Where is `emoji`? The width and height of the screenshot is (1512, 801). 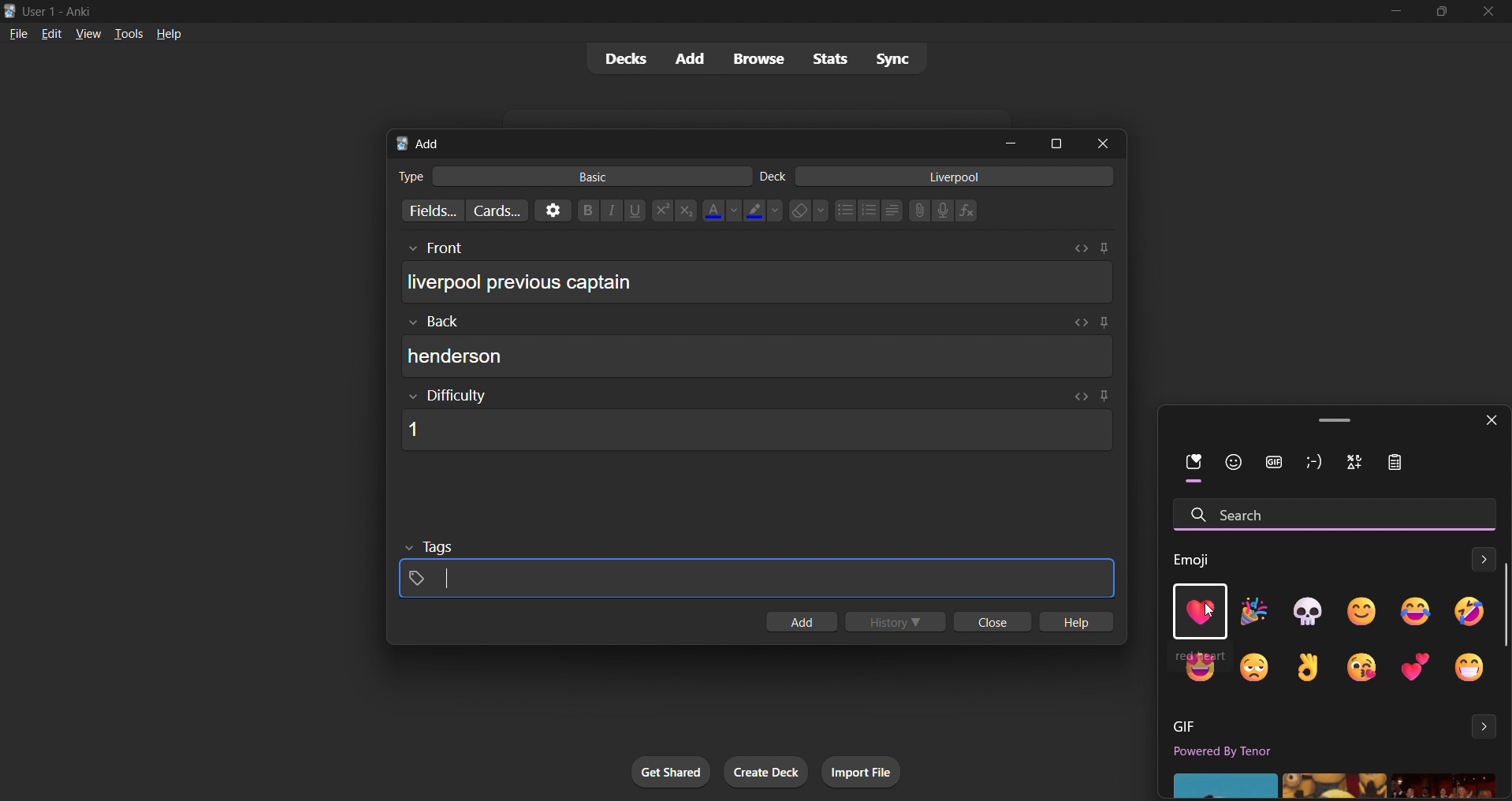
emoji is located at coordinates (1413, 667).